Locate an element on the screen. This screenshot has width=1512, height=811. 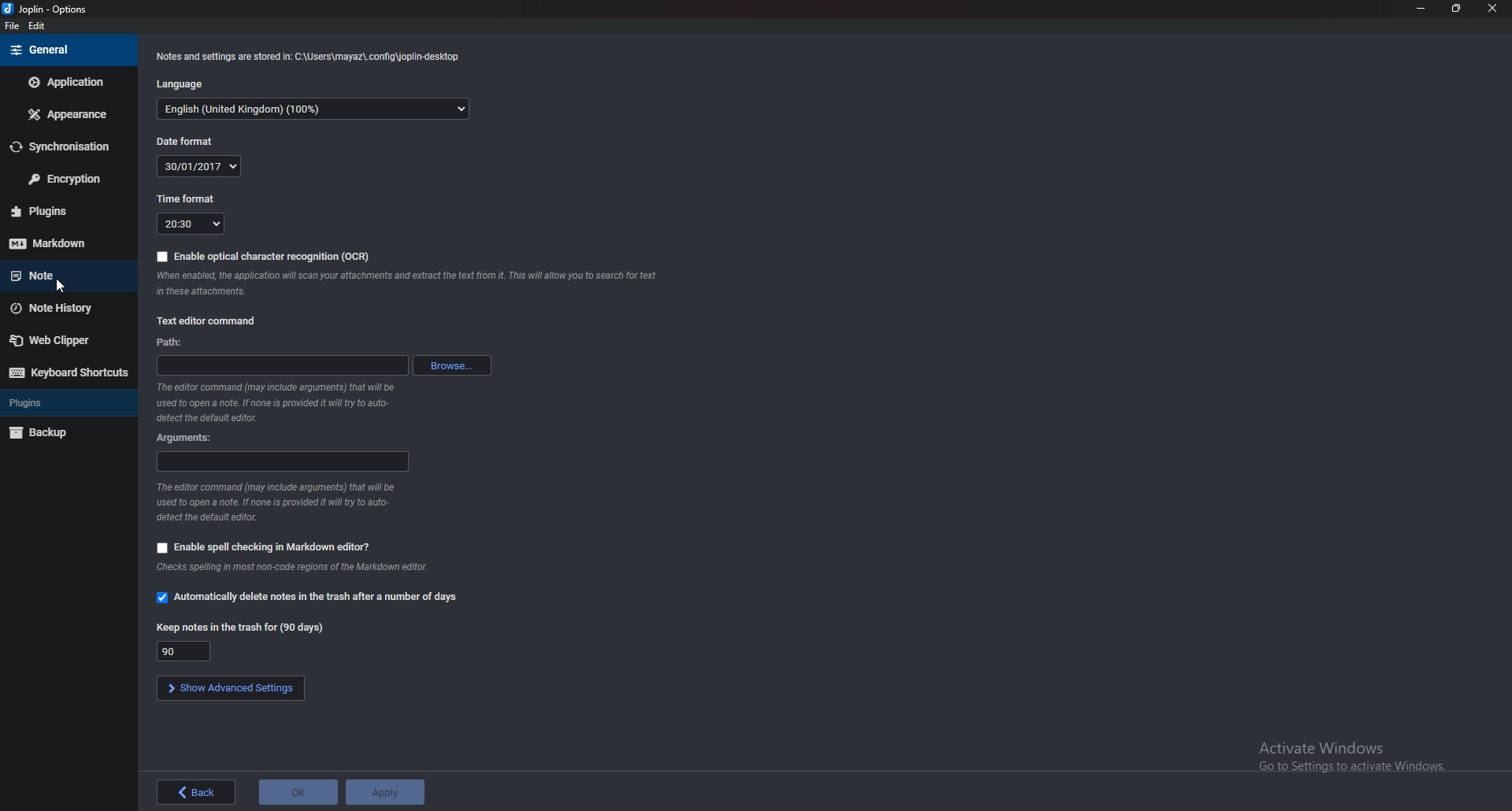
path is located at coordinates (285, 365).